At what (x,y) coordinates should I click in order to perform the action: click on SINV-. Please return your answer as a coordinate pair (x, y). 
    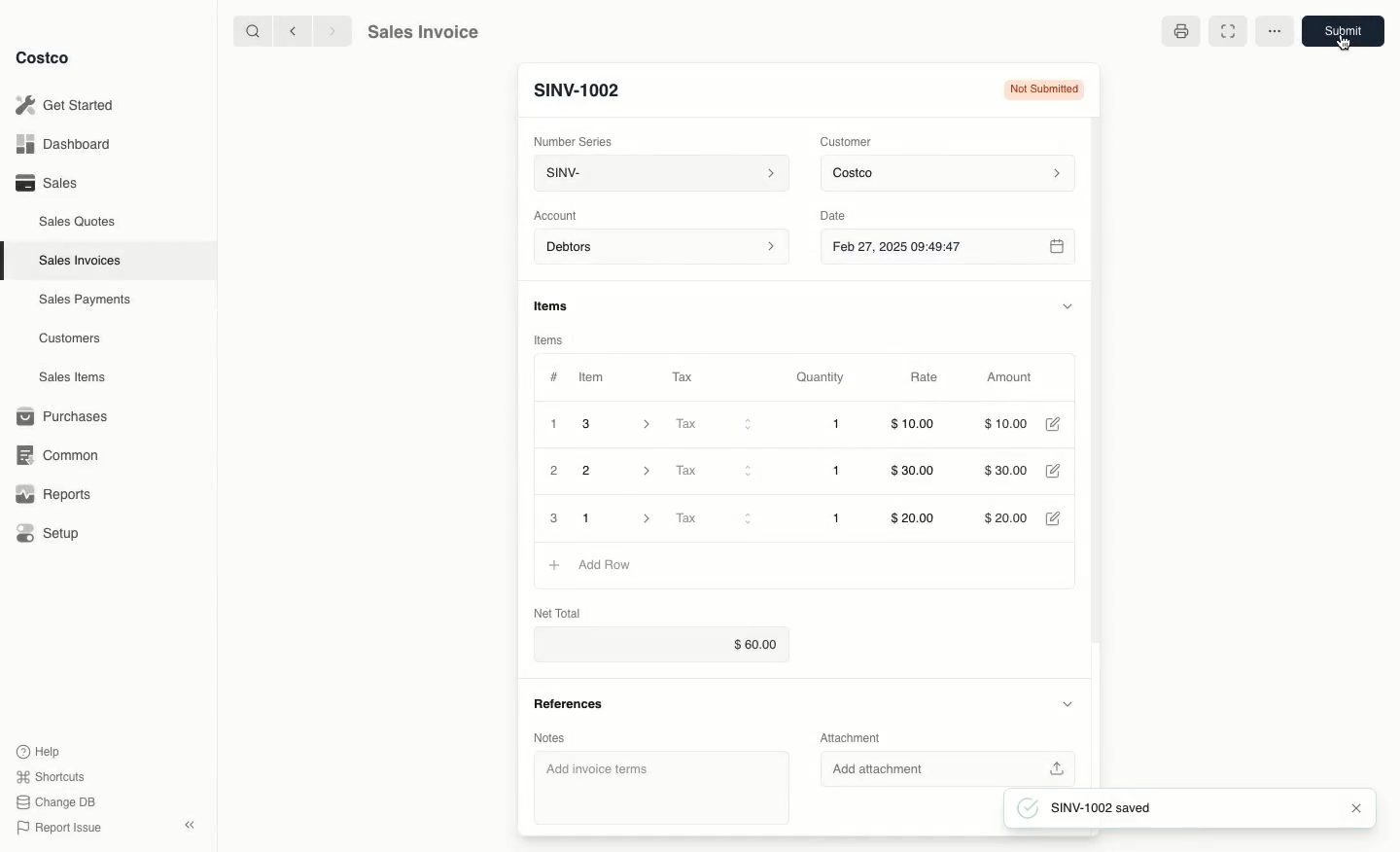
    Looking at the image, I should click on (657, 175).